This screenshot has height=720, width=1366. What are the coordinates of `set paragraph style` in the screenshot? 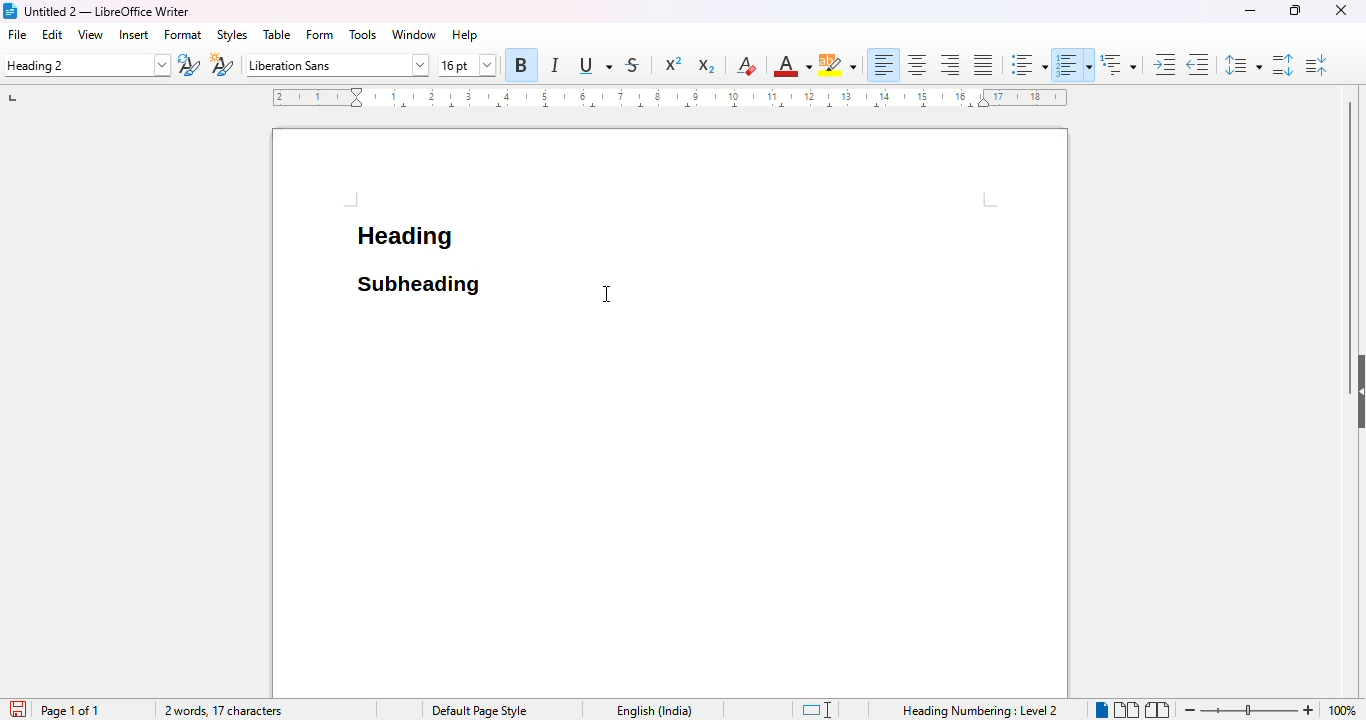 It's located at (86, 65).